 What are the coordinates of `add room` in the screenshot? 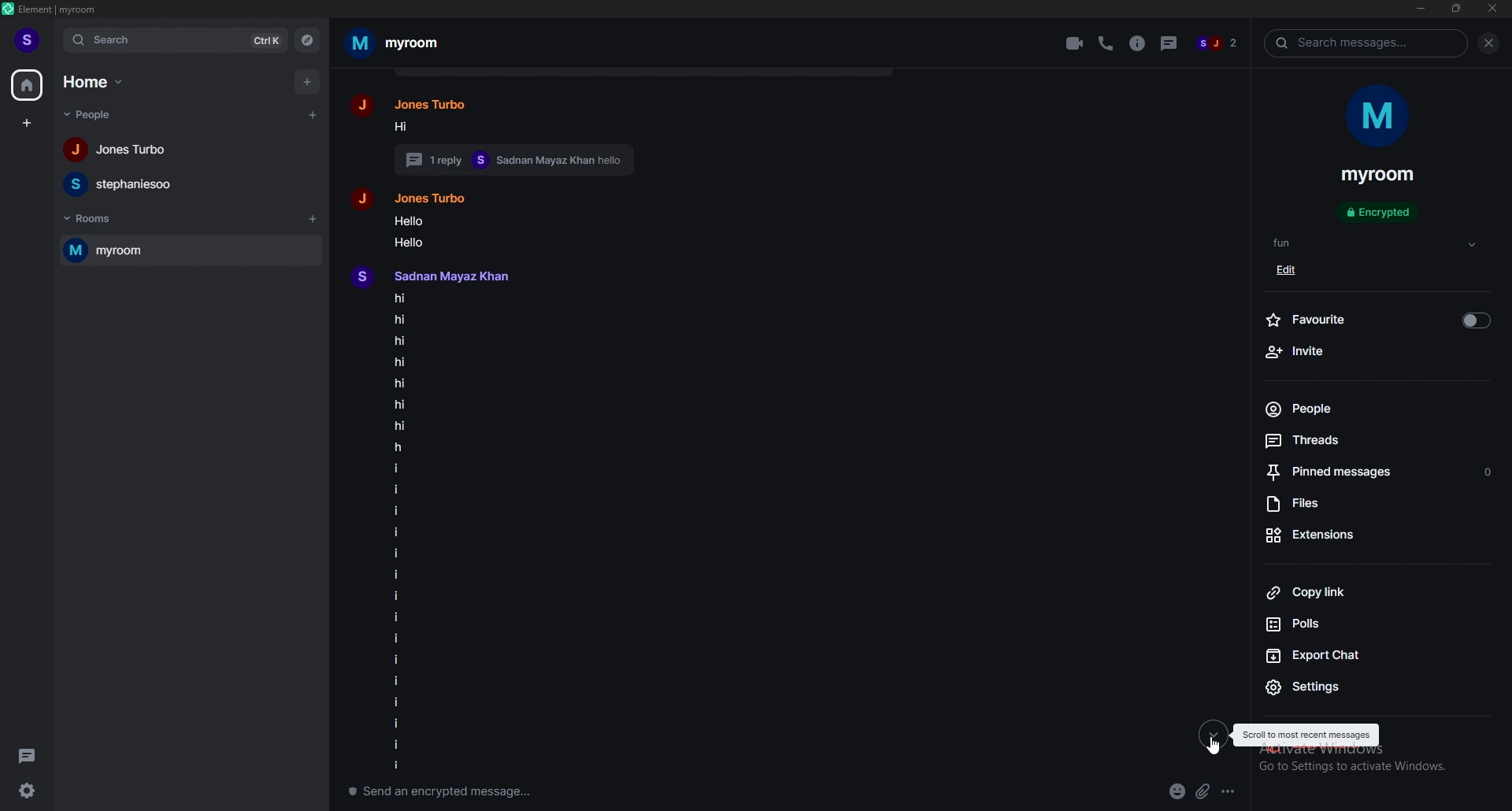 It's located at (311, 219).